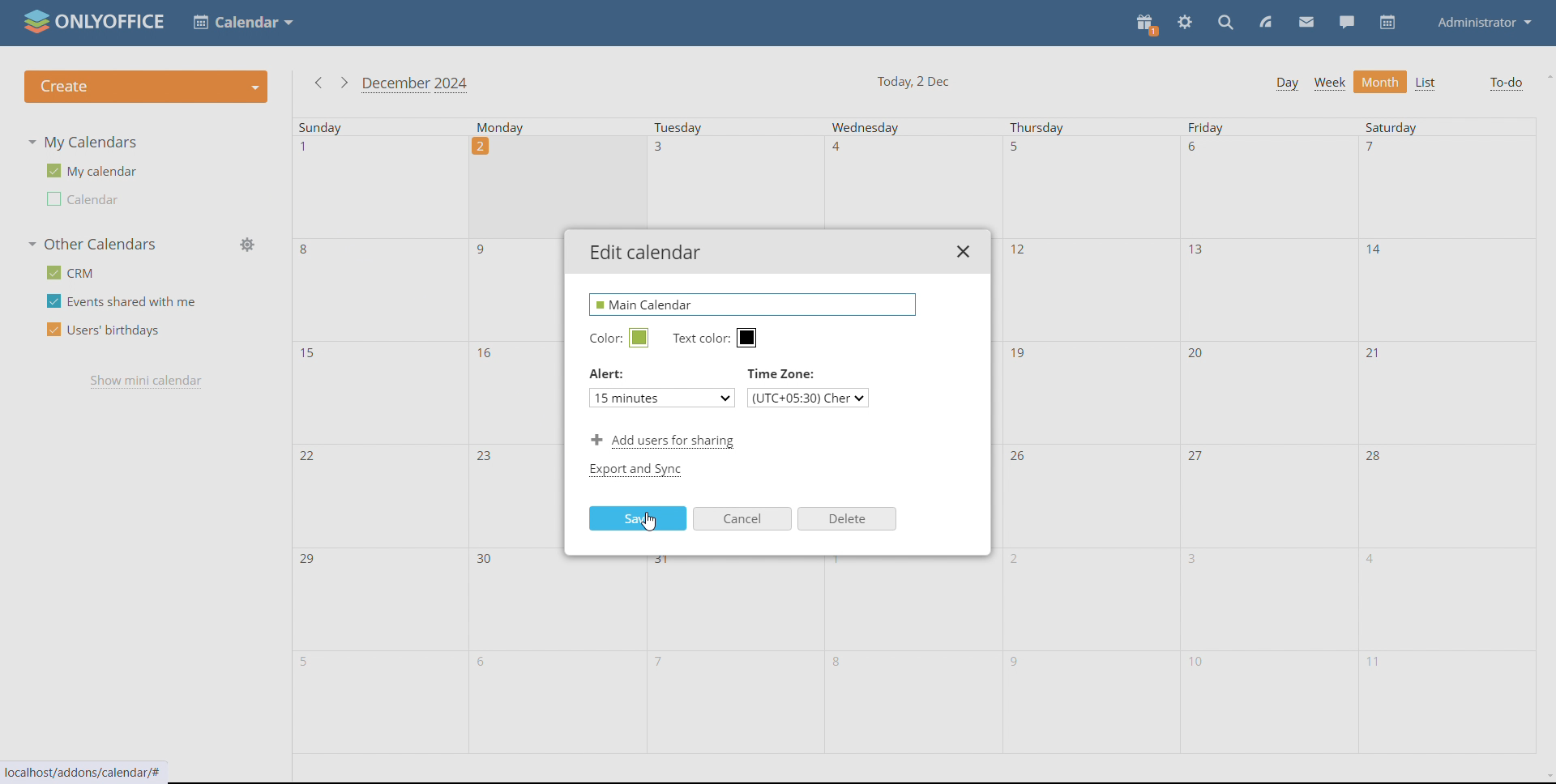 Image resolution: width=1556 pixels, height=784 pixels. I want to click on scroll up, so click(1549, 76).